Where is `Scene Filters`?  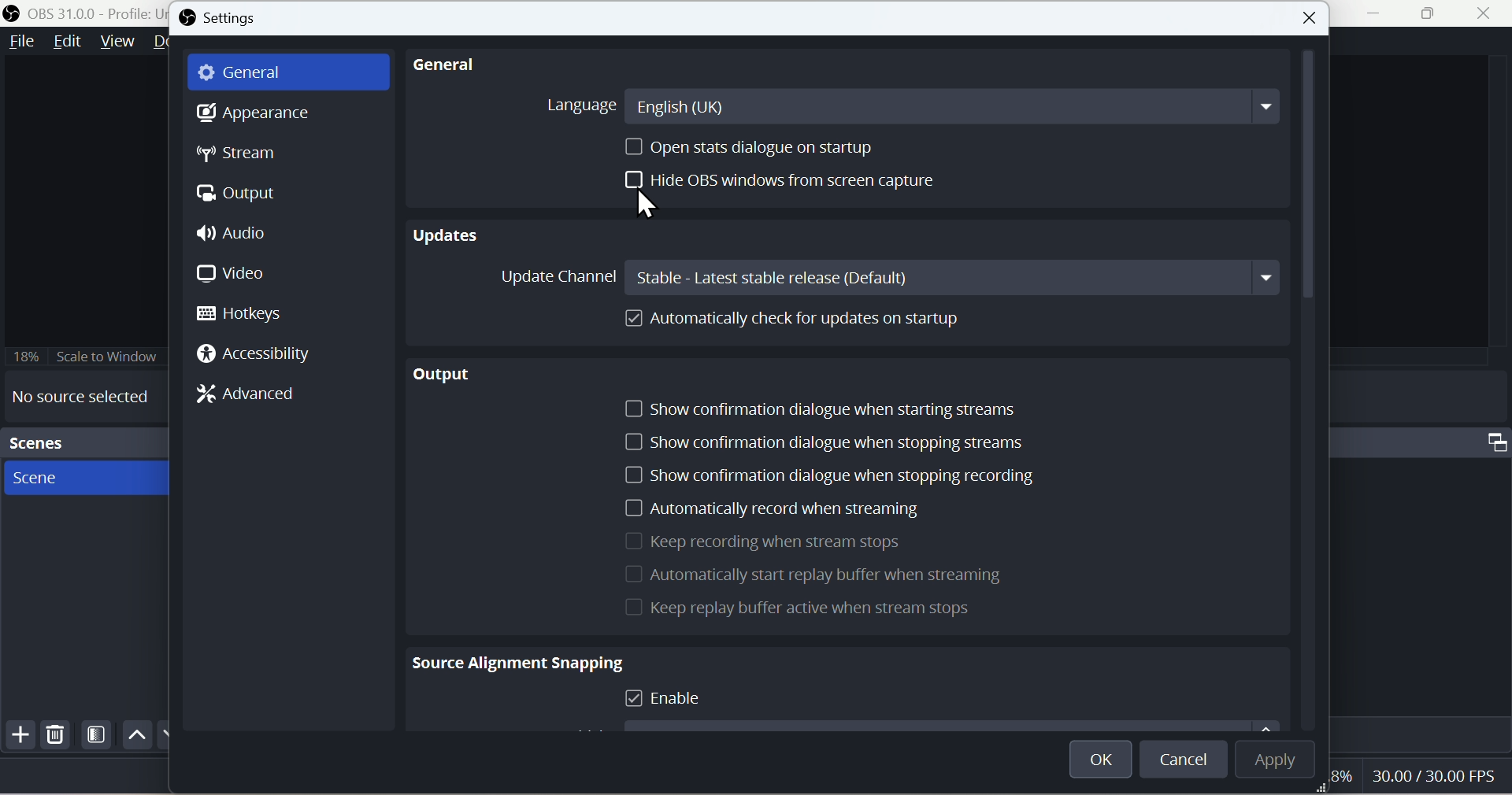
Scene Filters is located at coordinates (98, 733).